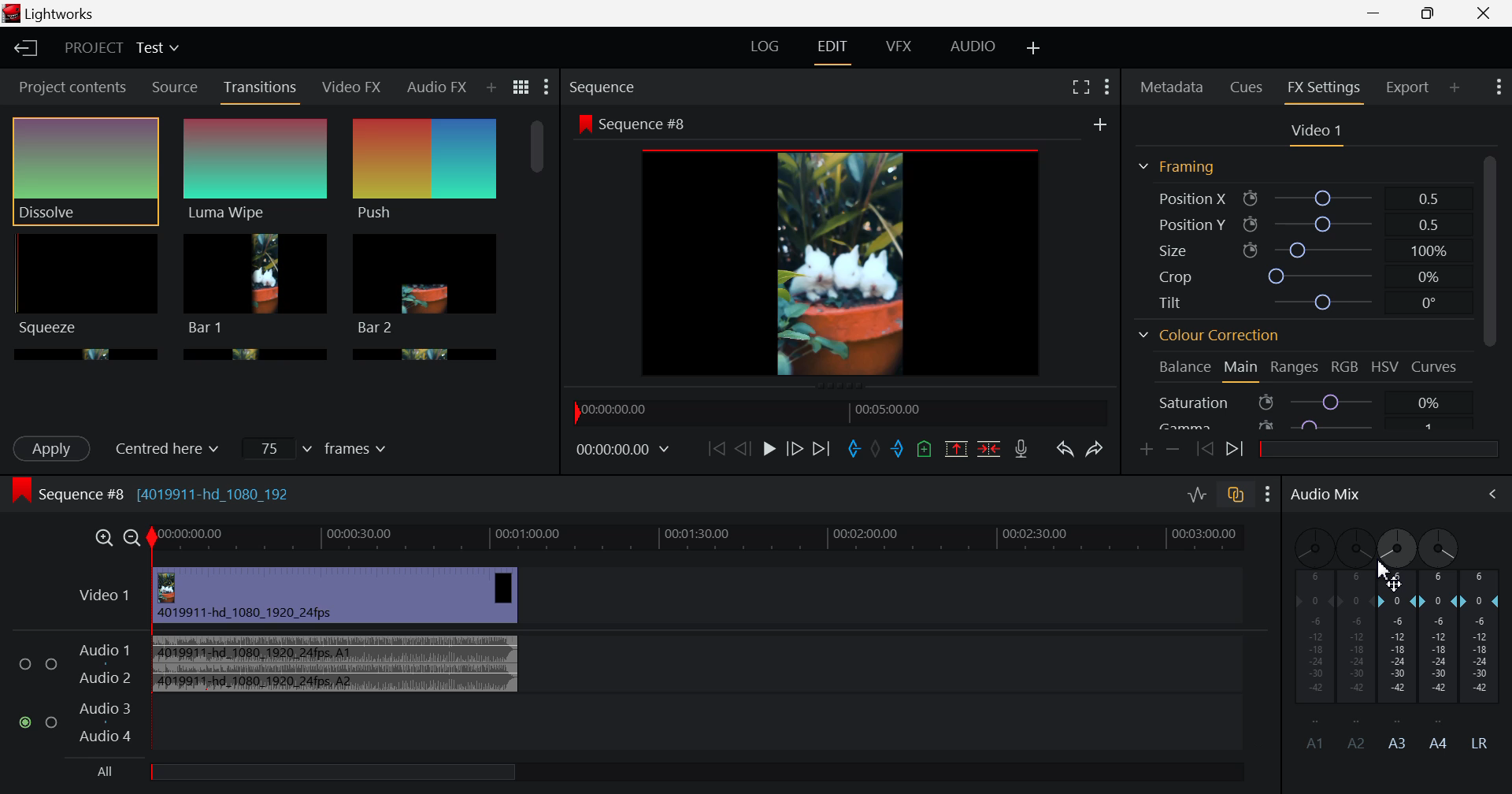  I want to click on Centered here, so click(174, 447).